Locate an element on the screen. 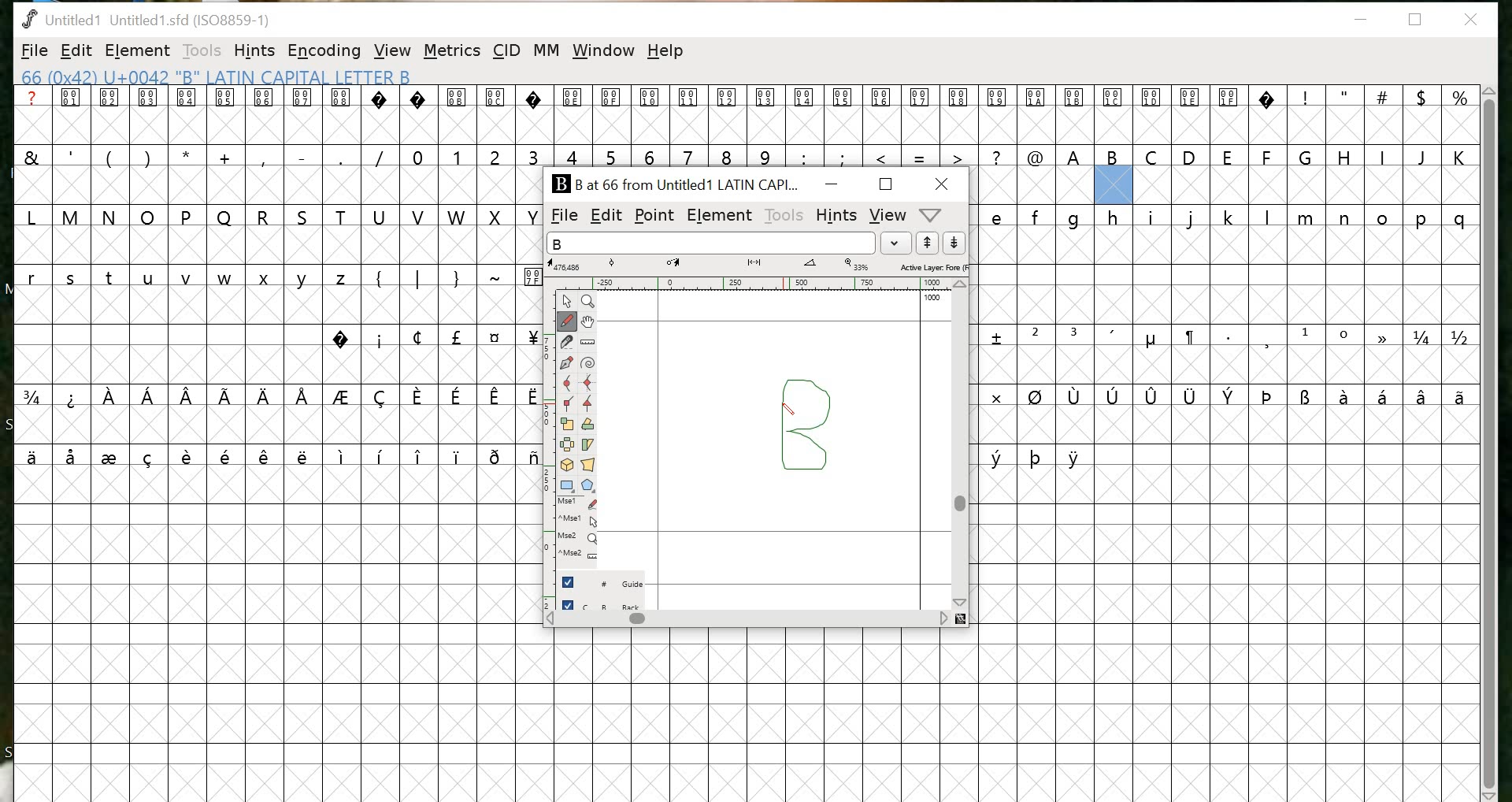 This screenshot has height=802, width=1512. POINT is located at coordinates (654, 217).